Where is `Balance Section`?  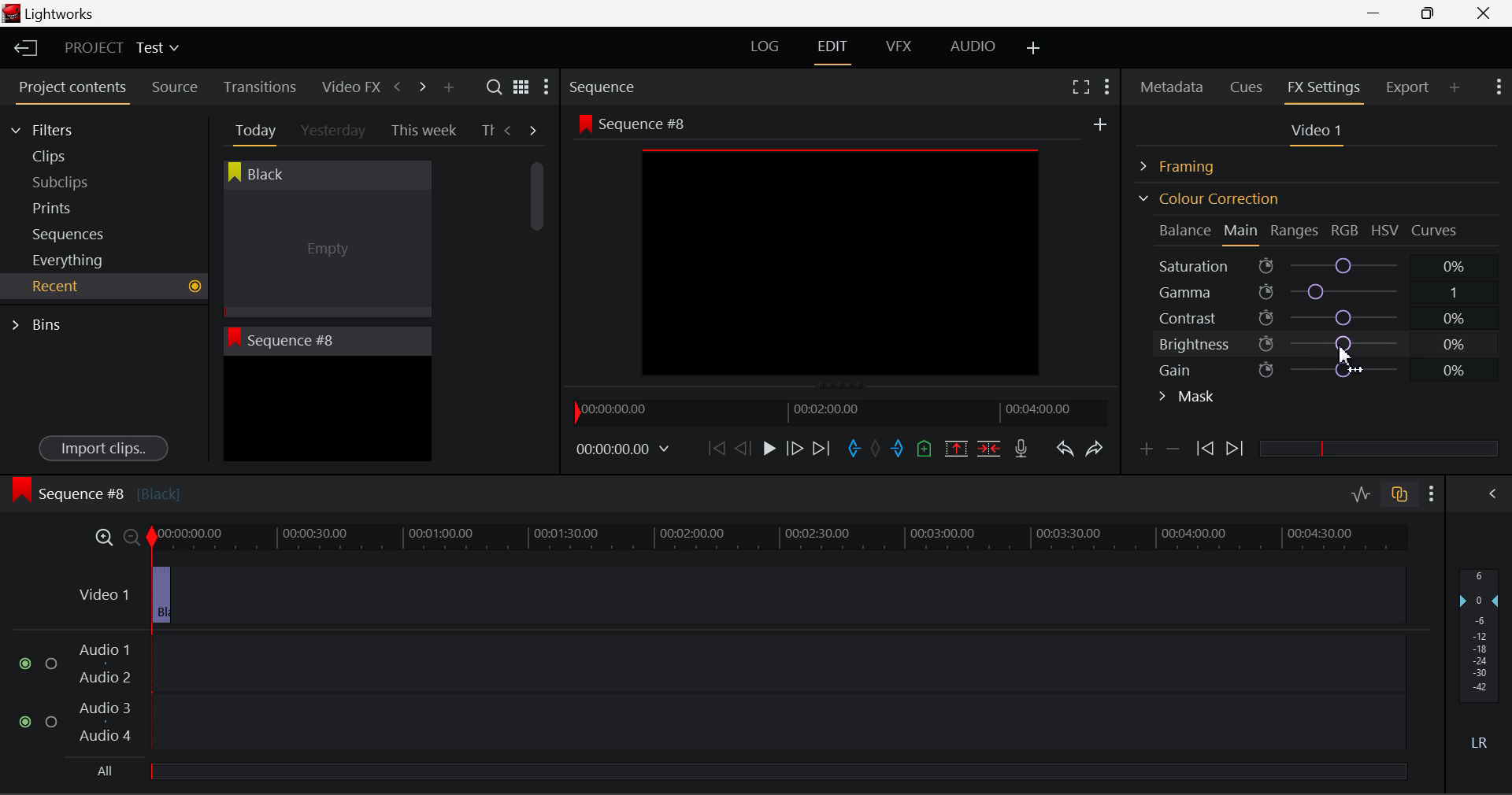
Balance Section is located at coordinates (1187, 230).